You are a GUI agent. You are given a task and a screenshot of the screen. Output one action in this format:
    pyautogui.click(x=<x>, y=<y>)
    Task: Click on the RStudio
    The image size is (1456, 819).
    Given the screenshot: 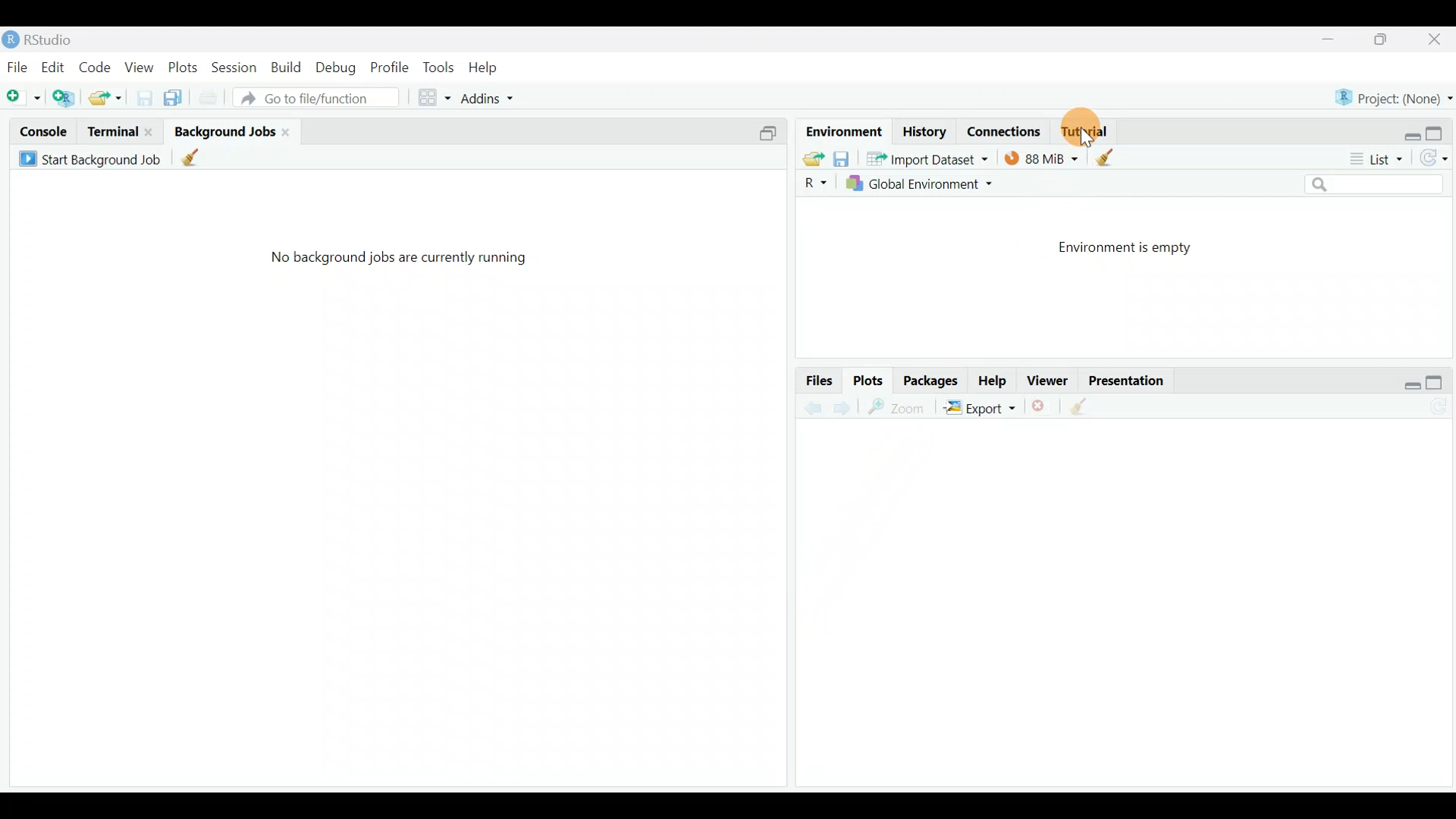 What is the action you would take?
    pyautogui.click(x=44, y=39)
    